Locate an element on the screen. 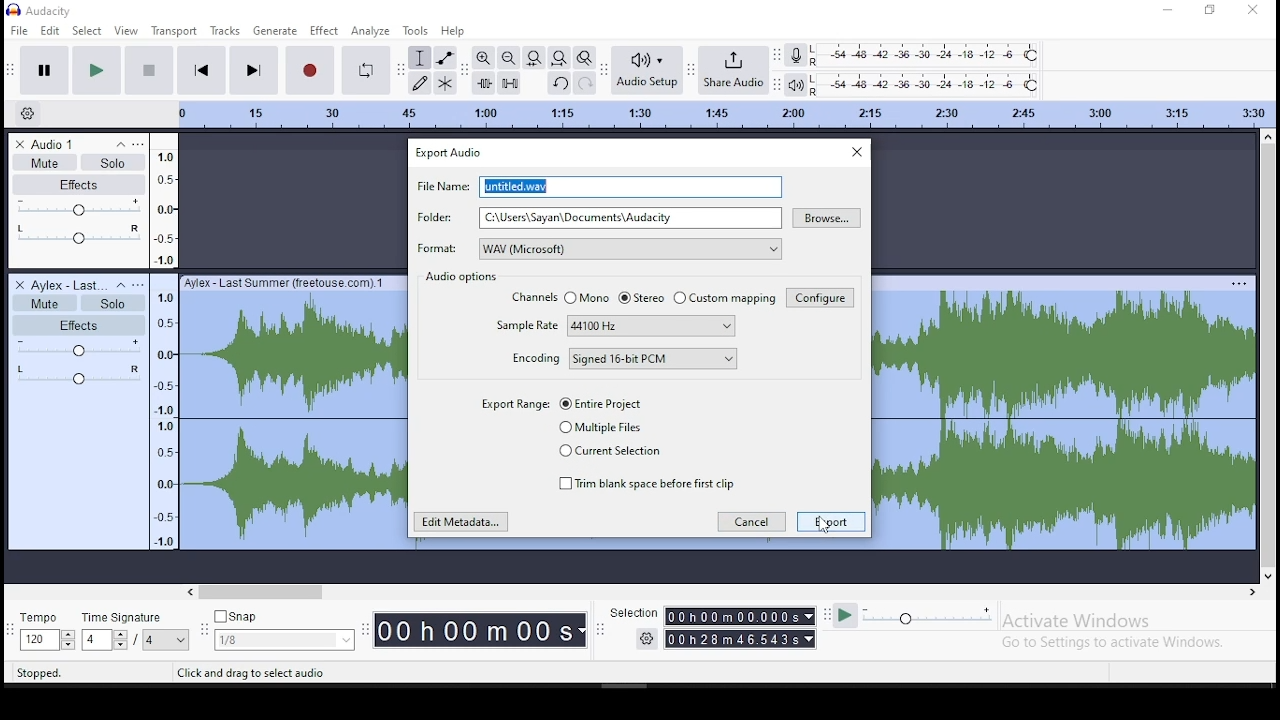  cursor is located at coordinates (823, 527).